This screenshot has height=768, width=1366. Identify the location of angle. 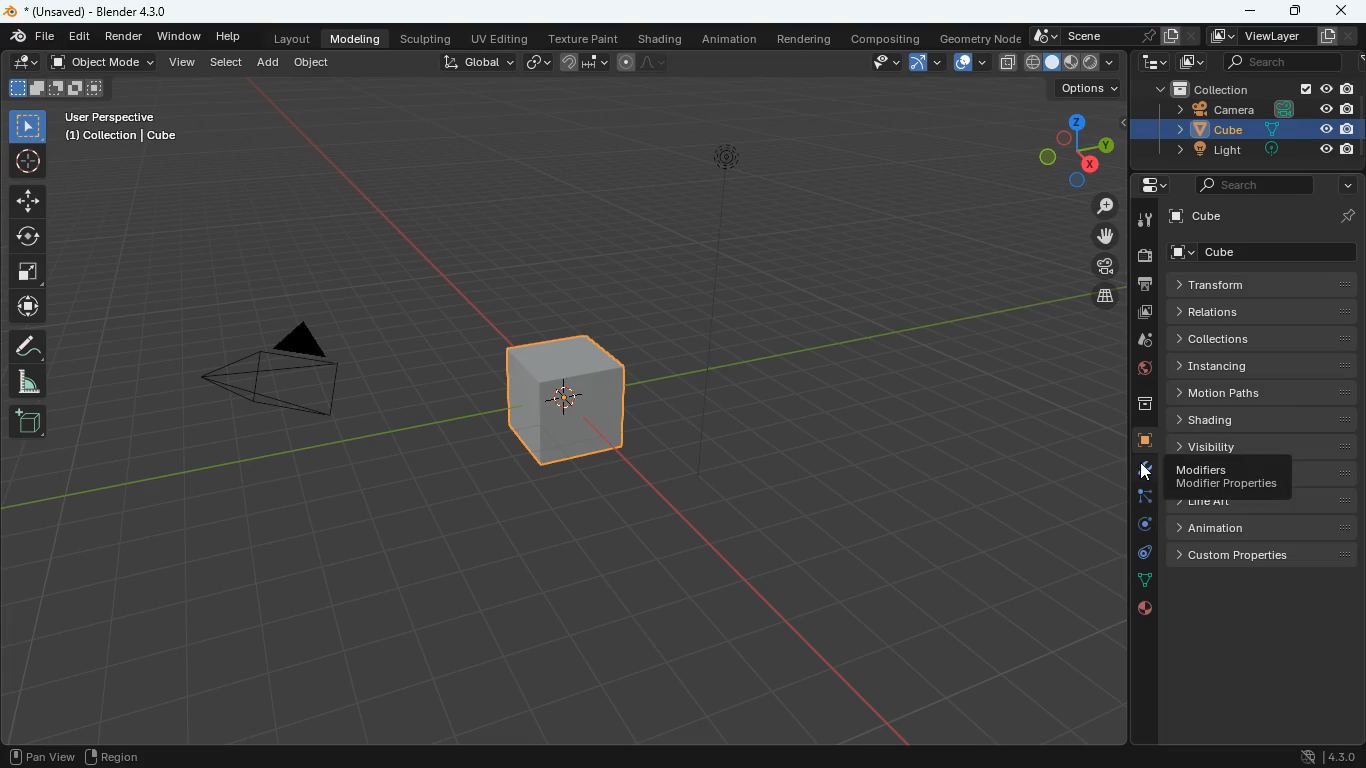
(23, 381).